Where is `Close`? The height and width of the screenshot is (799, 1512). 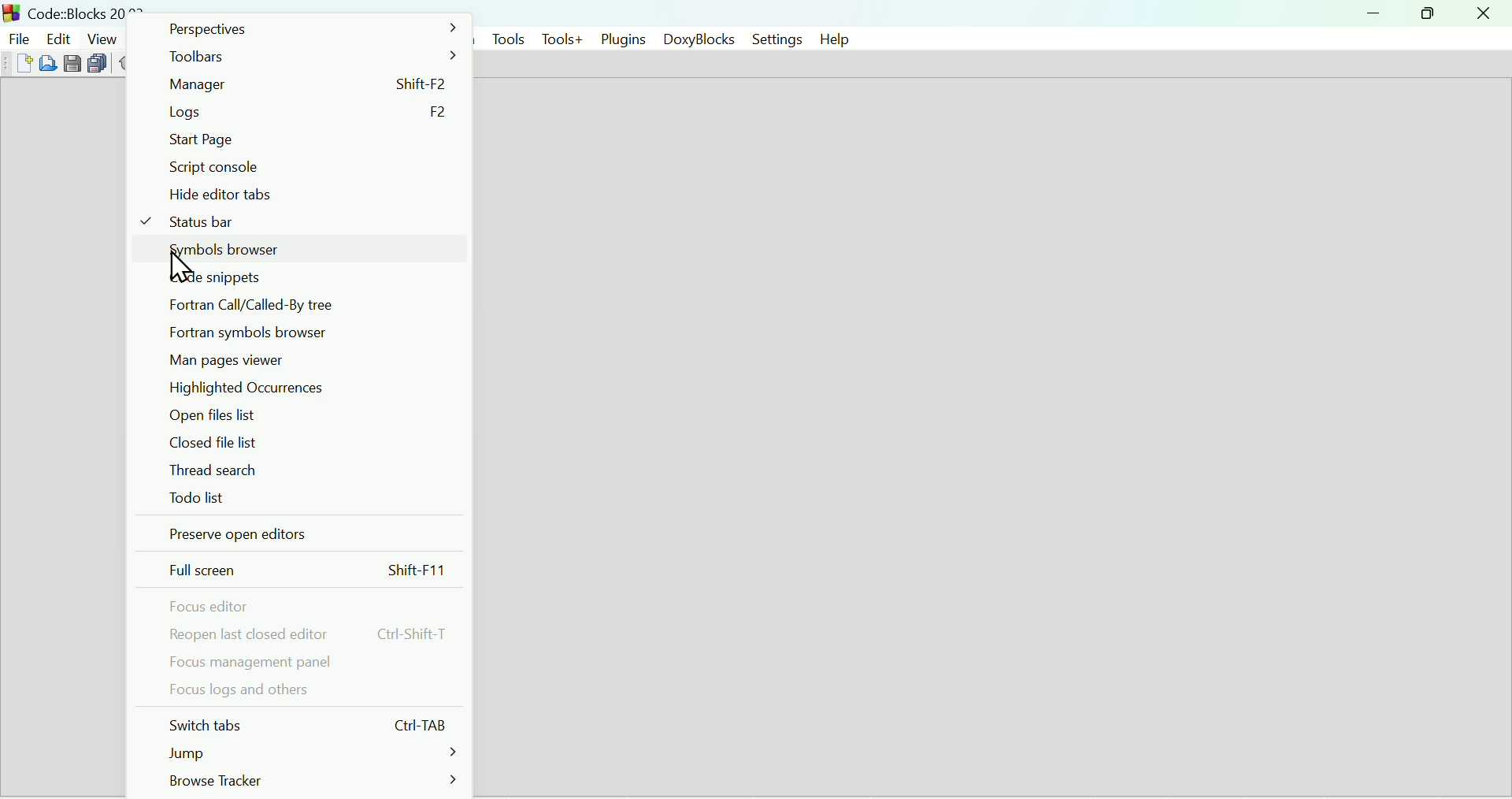 Close is located at coordinates (1483, 13).